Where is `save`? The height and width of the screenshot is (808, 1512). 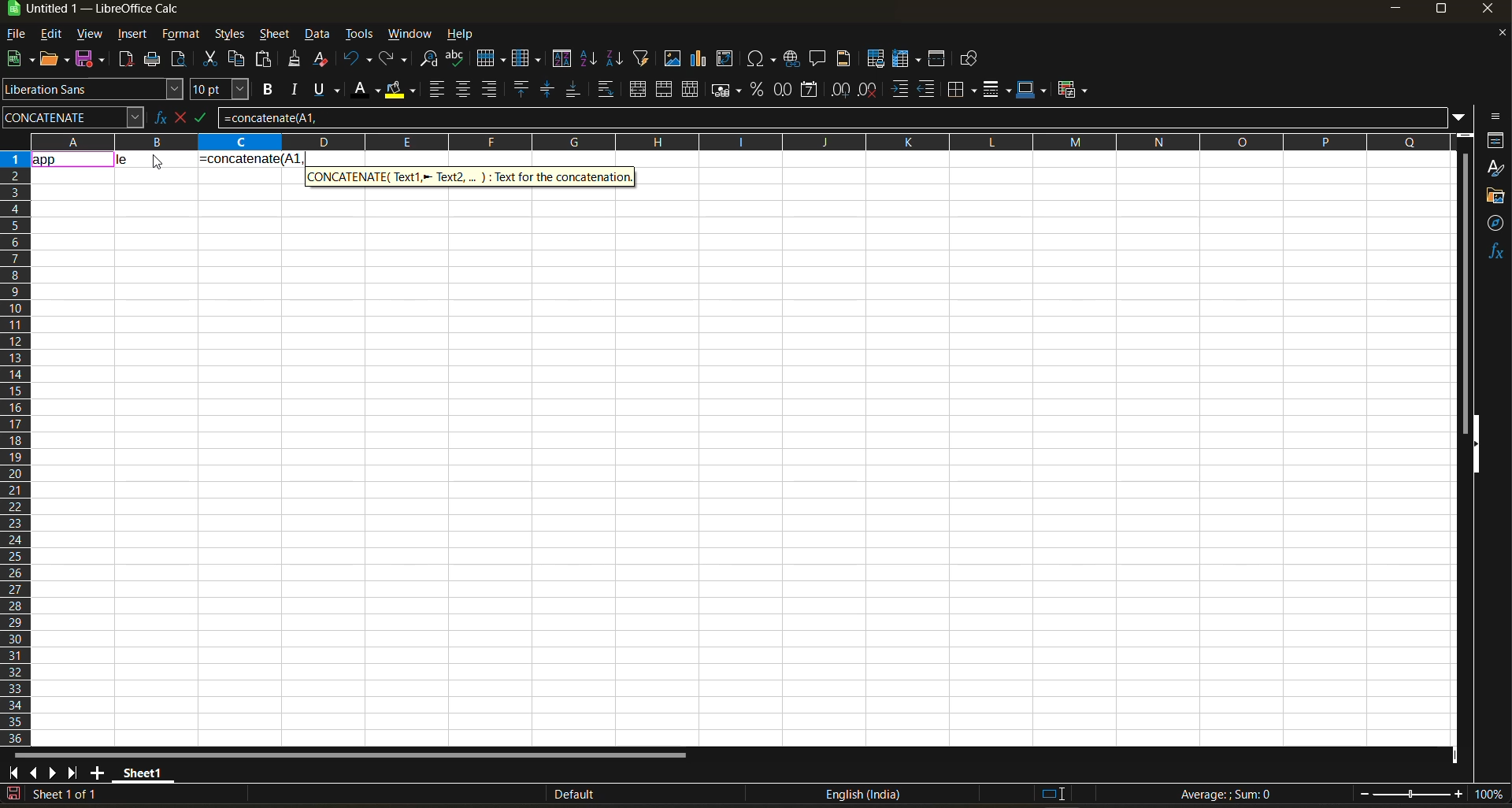
save is located at coordinates (93, 57).